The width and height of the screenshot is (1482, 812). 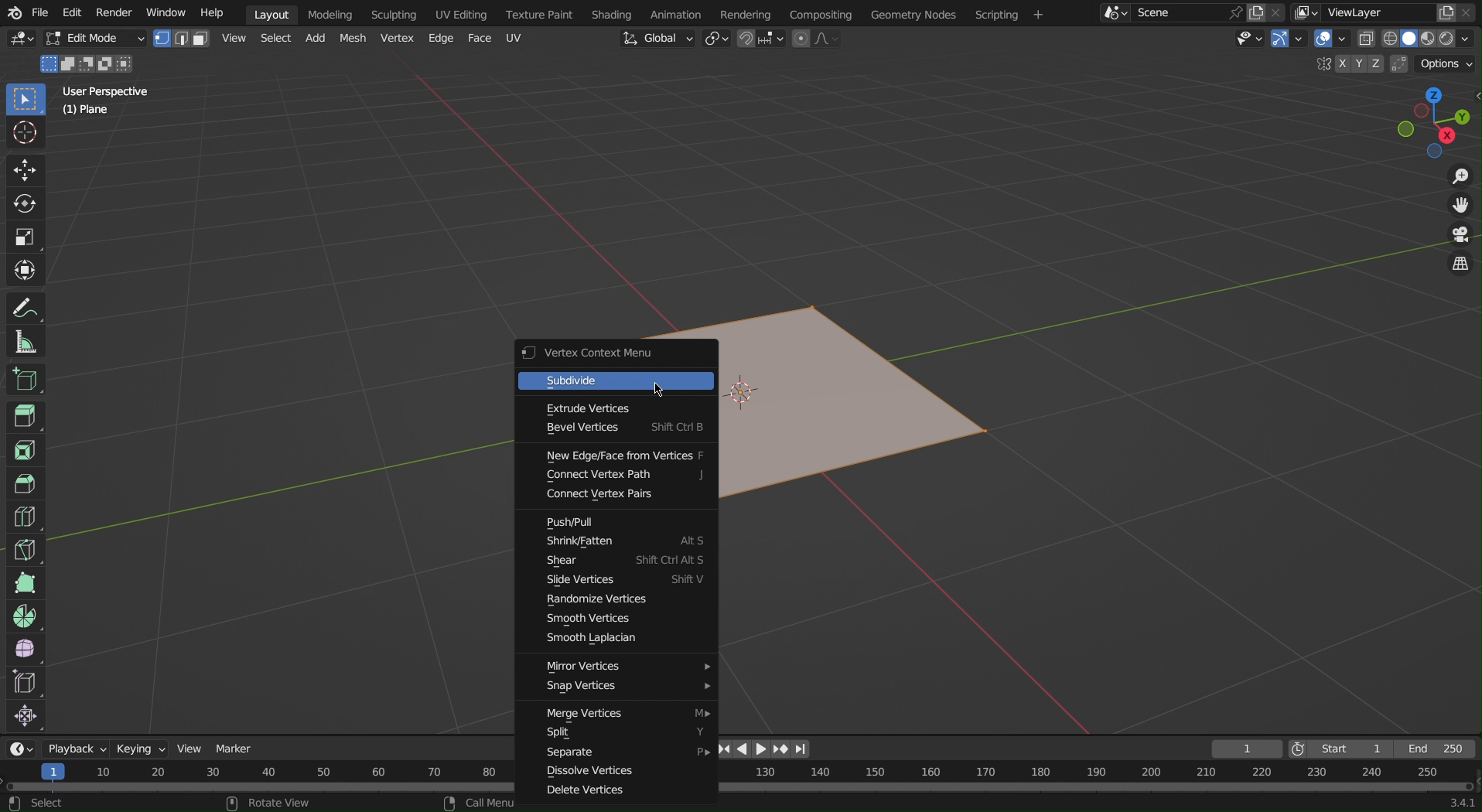 I want to click on Show Object Types, so click(x=1248, y=43).